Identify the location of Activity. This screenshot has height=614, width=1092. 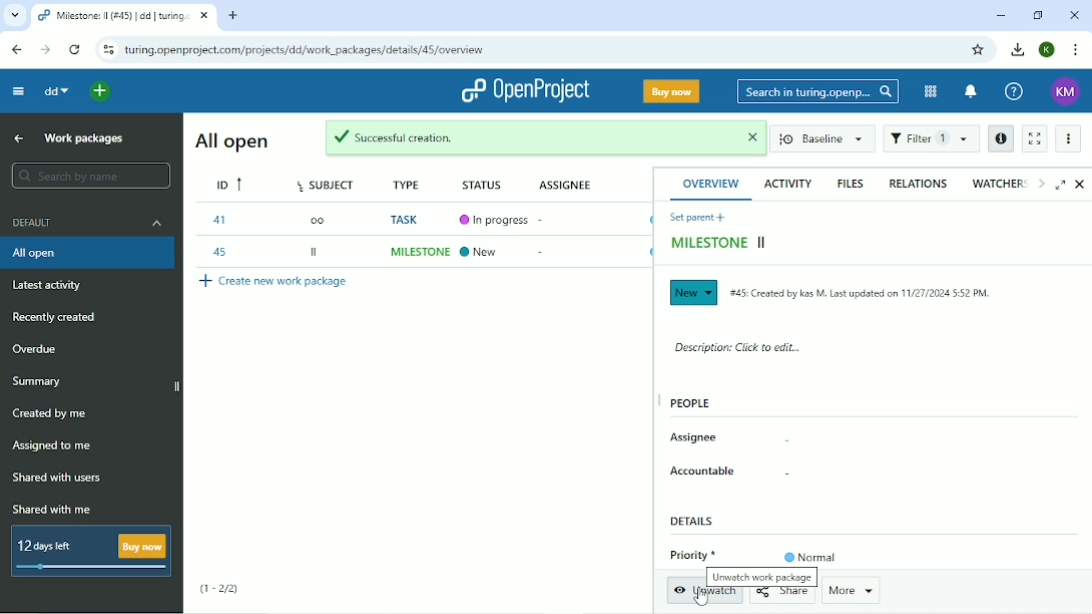
(787, 183).